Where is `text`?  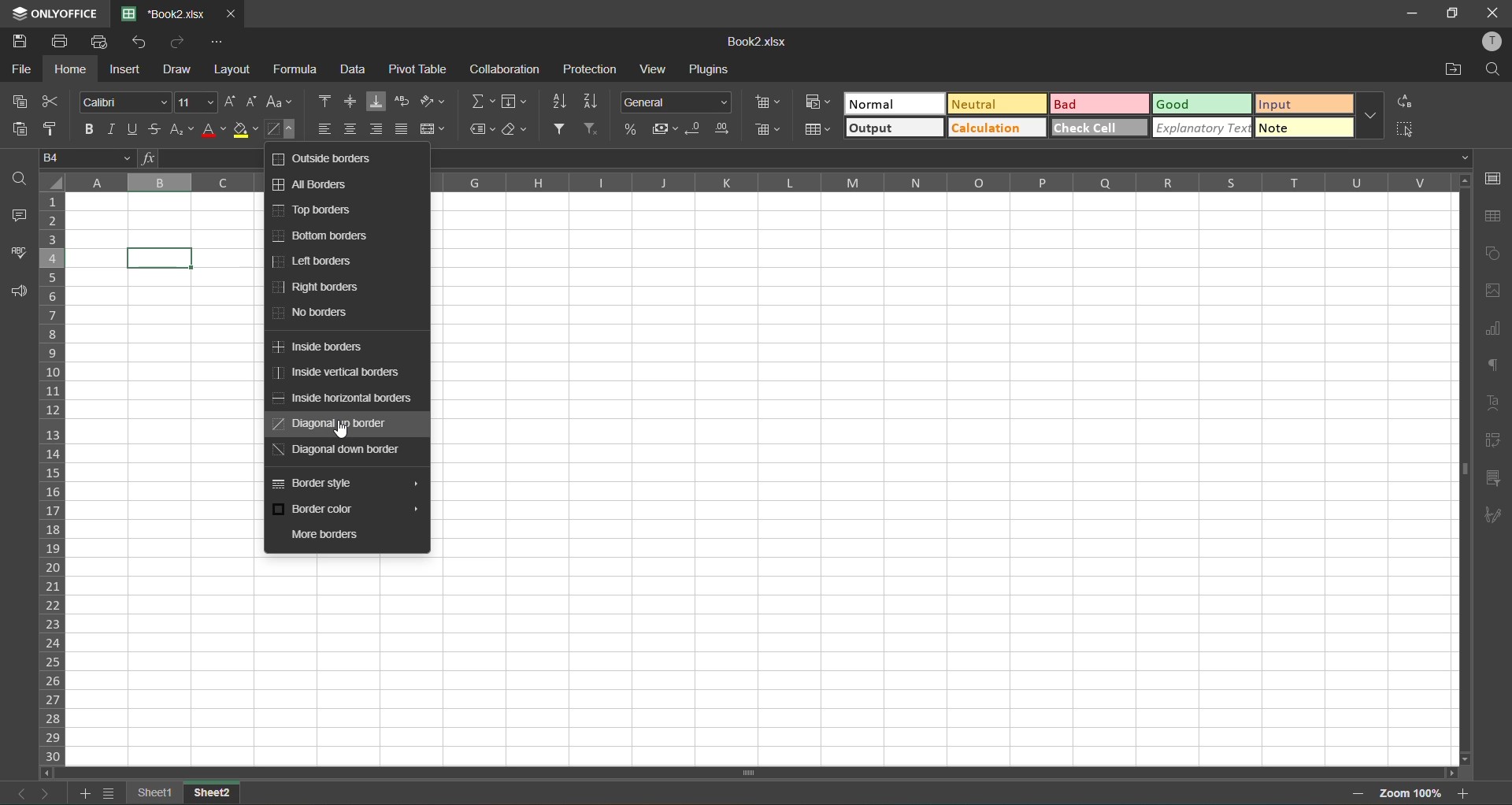
text is located at coordinates (1494, 402).